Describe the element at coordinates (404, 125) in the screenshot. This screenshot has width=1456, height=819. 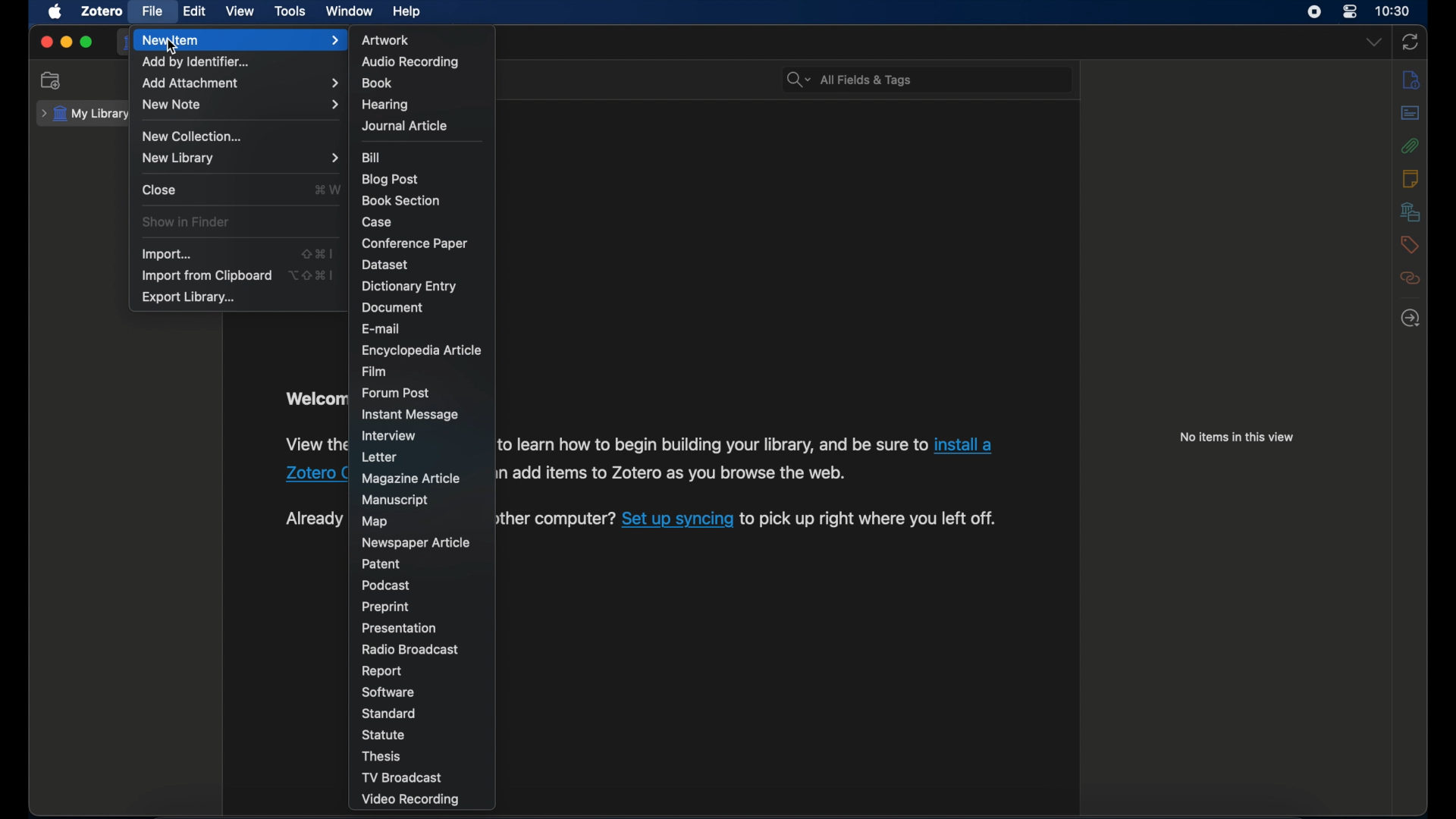
I see `journal article` at that location.